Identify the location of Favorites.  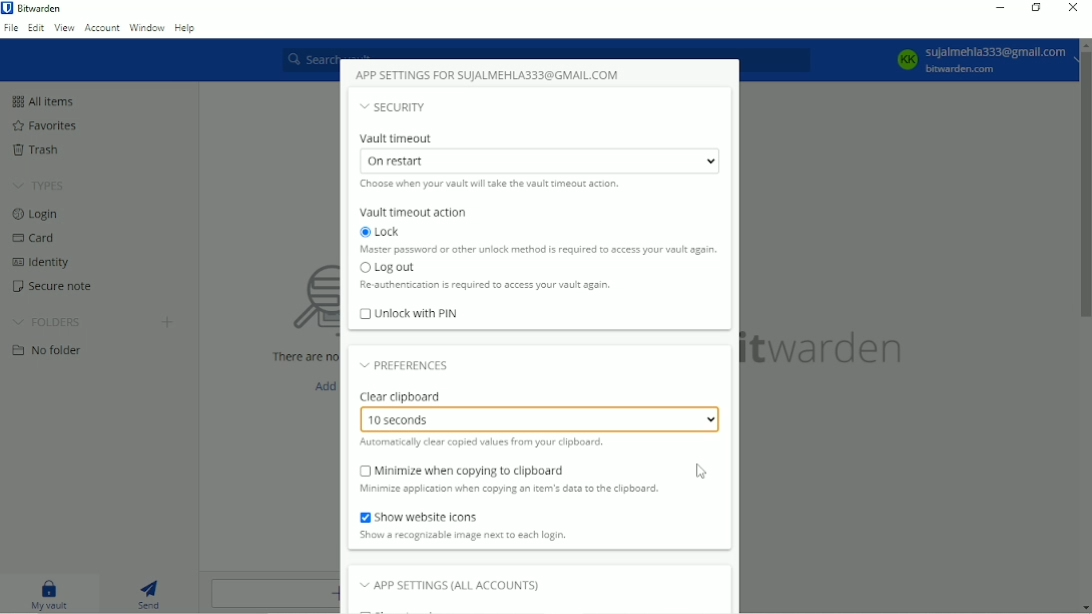
(51, 125).